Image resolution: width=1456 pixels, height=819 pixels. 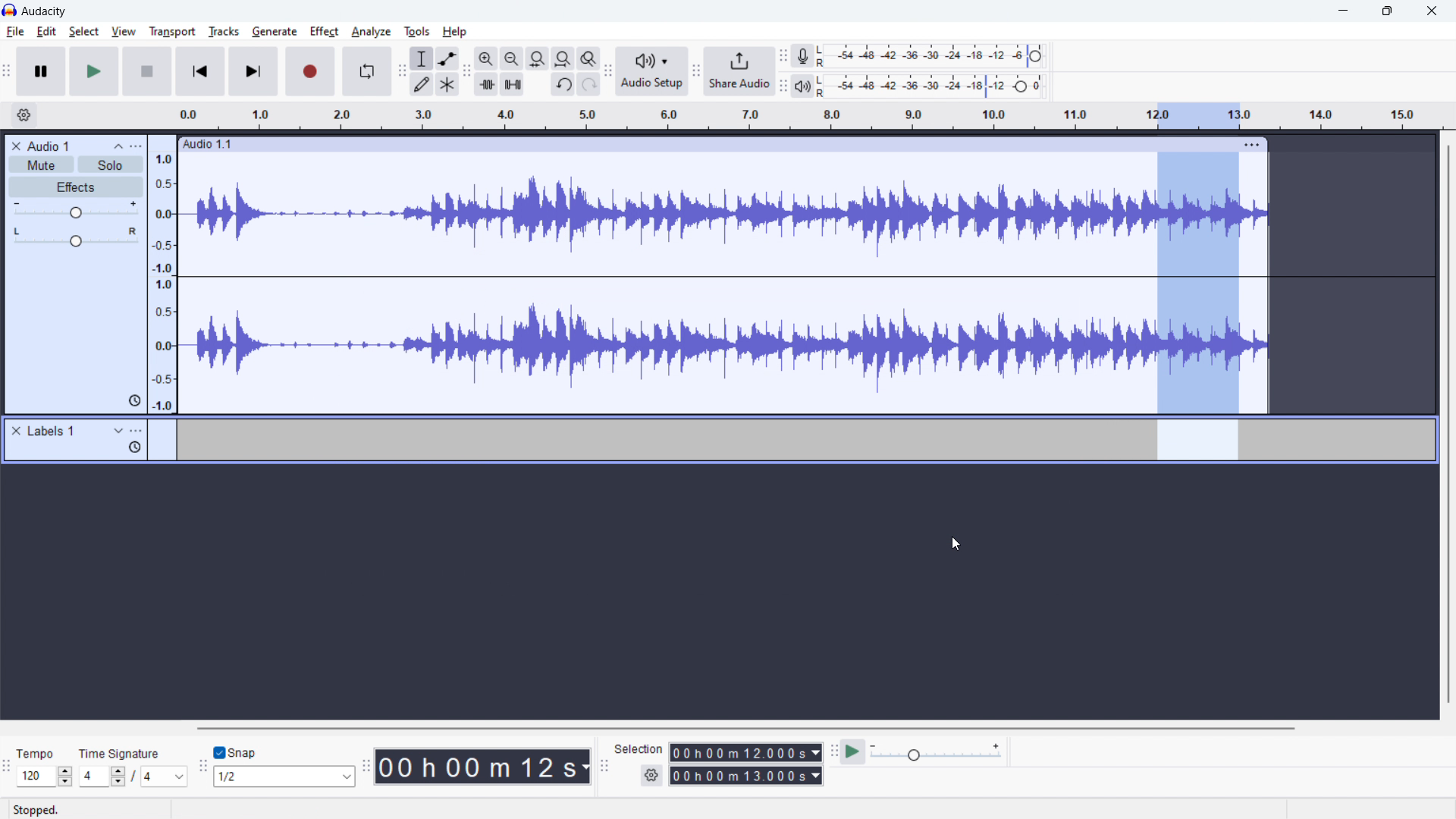 I want to click on menu, so click(x=137, y=146).